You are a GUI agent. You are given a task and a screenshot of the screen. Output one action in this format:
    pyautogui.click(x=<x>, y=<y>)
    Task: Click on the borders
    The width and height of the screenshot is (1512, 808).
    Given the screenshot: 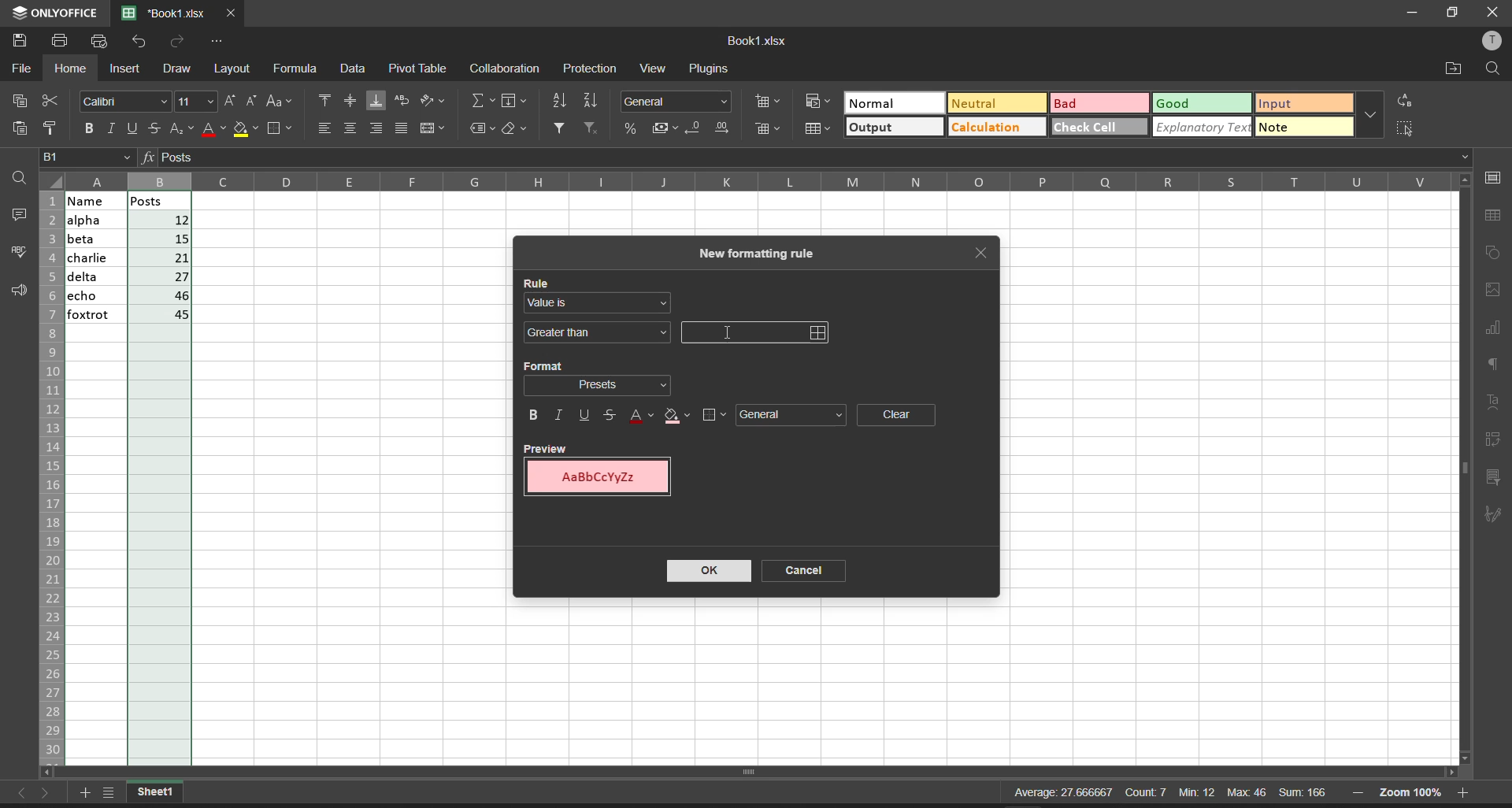 What is the action you would take?
    pyautogui.click(x=280, y=130)
    